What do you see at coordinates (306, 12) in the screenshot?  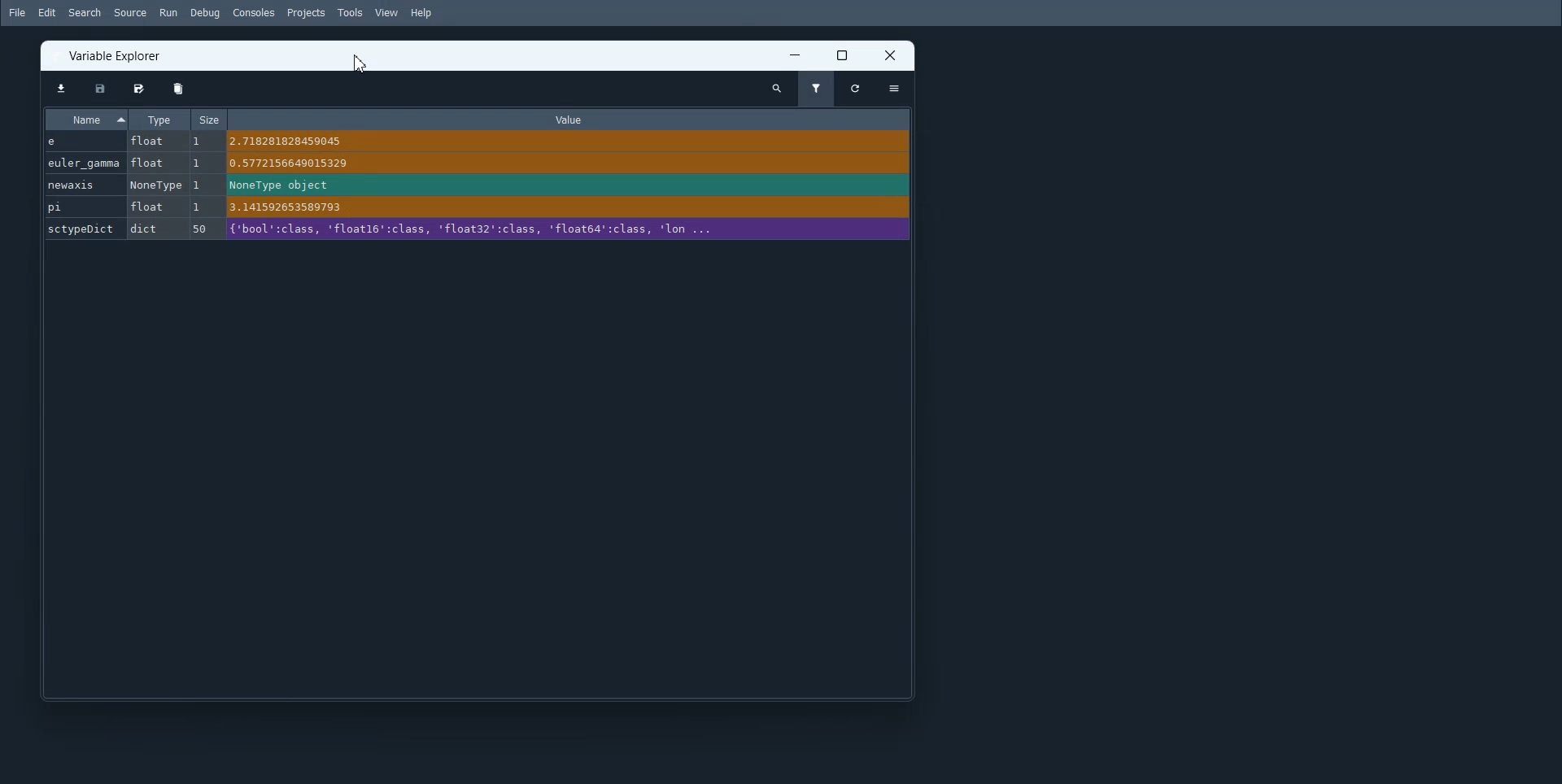 I see `Projects` at bounding box center [306, 12].